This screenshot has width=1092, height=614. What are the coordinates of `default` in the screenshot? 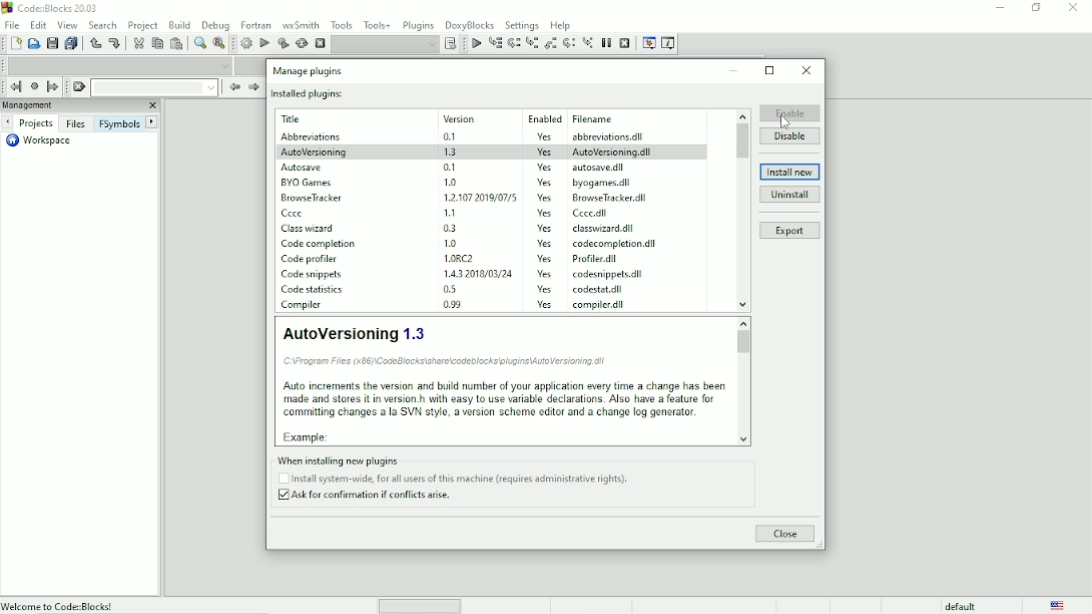 It's located at (960, 606).